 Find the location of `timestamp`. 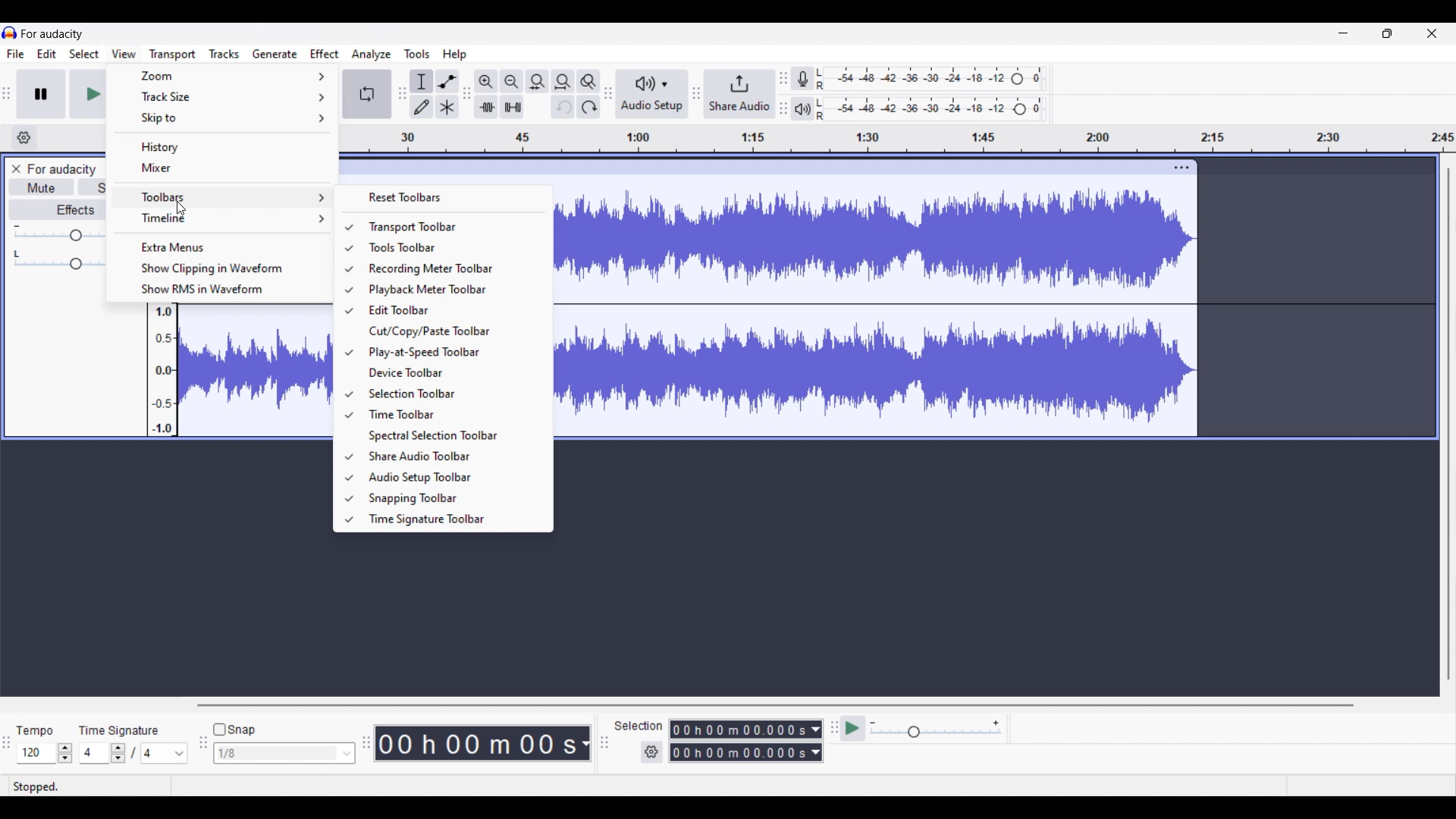

timestamp is located at coordinates (483, 742).